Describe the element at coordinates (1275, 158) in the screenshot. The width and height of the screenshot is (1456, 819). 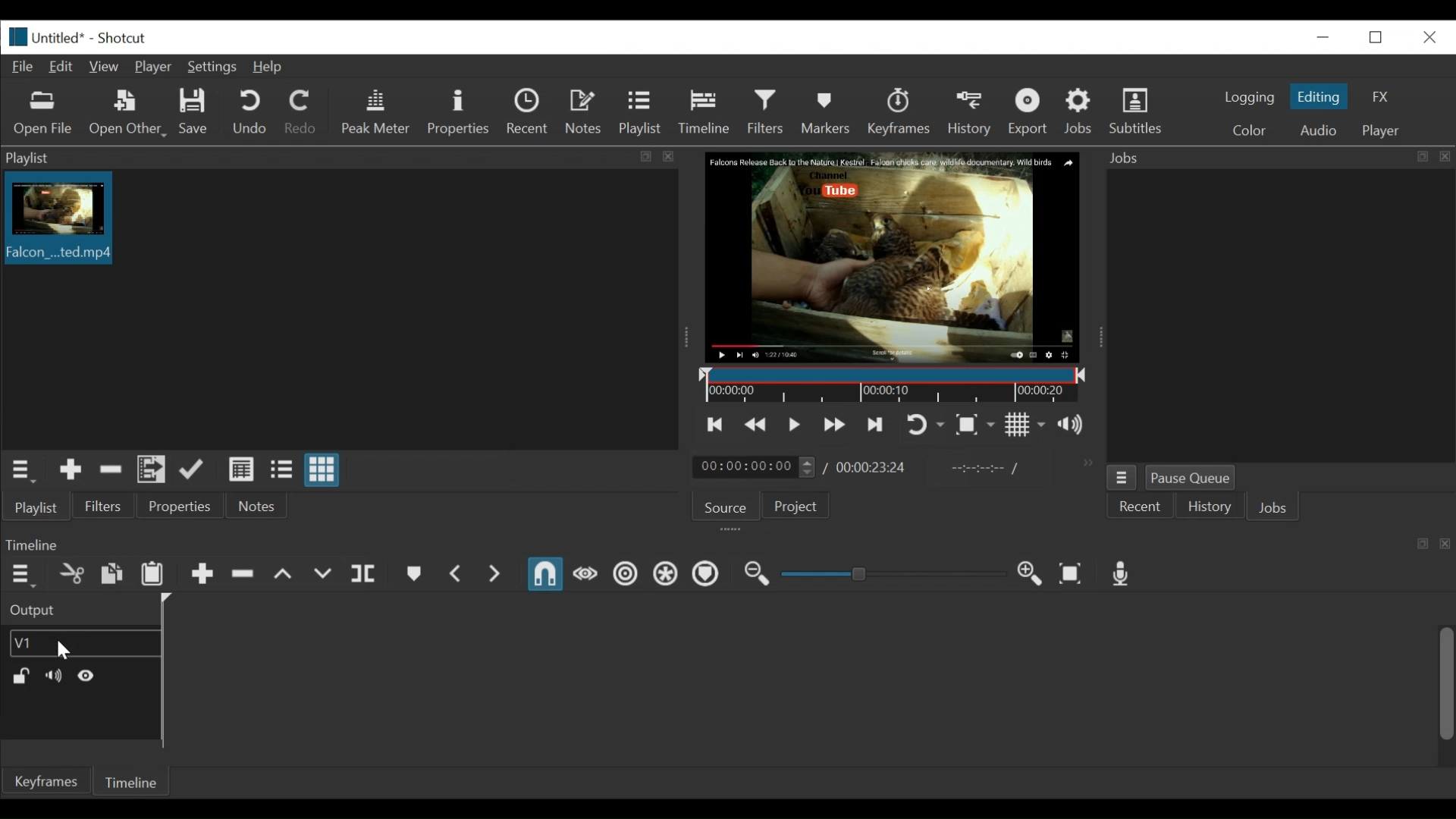
I see `Jobs Panel` at that location.